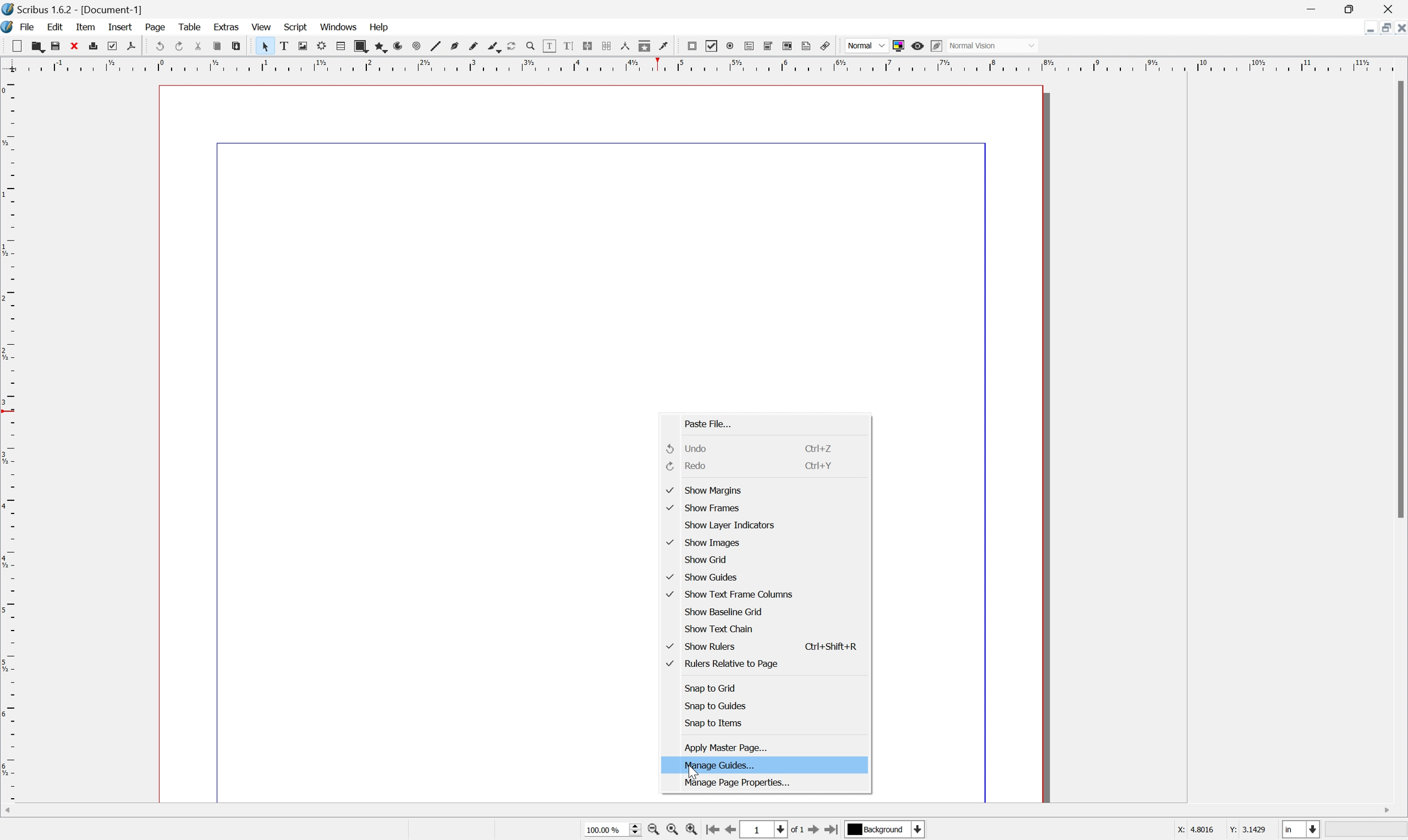 The image size is (1408, 840). Describe the element at coordinates (706, 559) in the screenshot. I see `show grid` at that location.